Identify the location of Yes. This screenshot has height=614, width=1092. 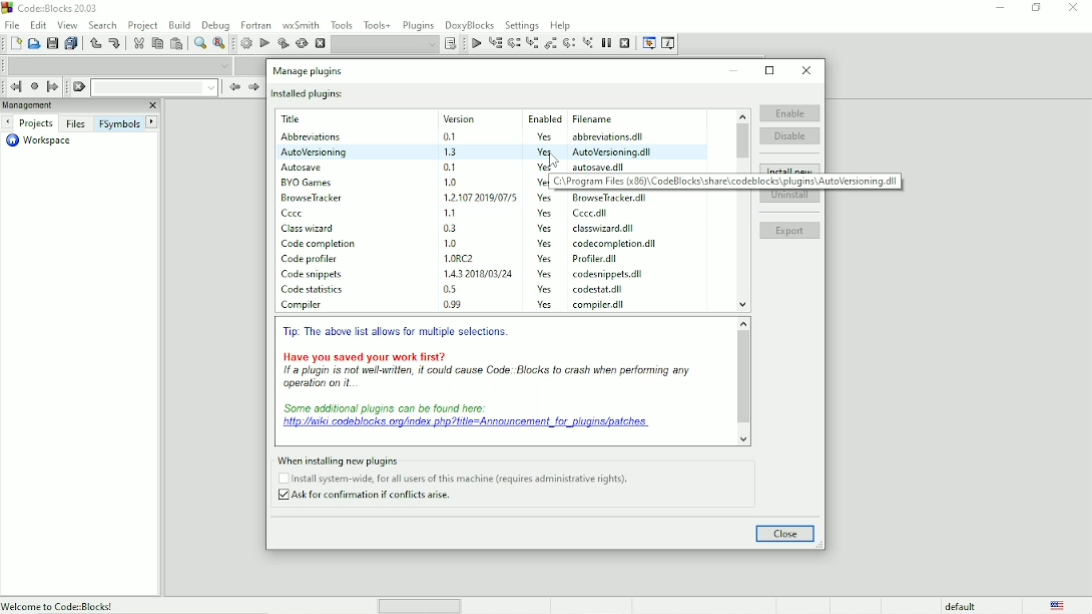
(544, 274).